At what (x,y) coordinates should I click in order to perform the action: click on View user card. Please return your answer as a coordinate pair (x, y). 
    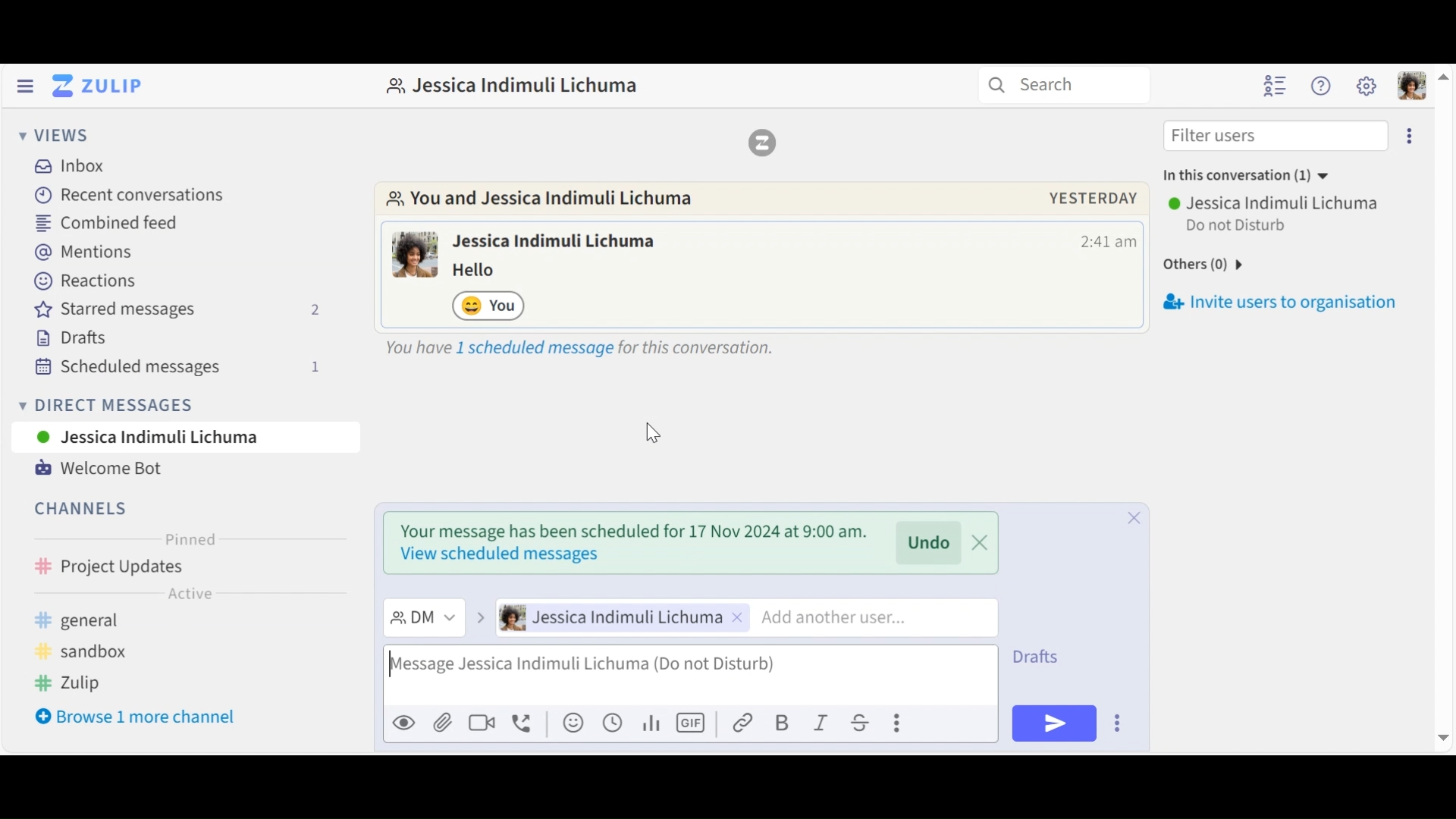
    Looking at the image, I should click on (557, 243).